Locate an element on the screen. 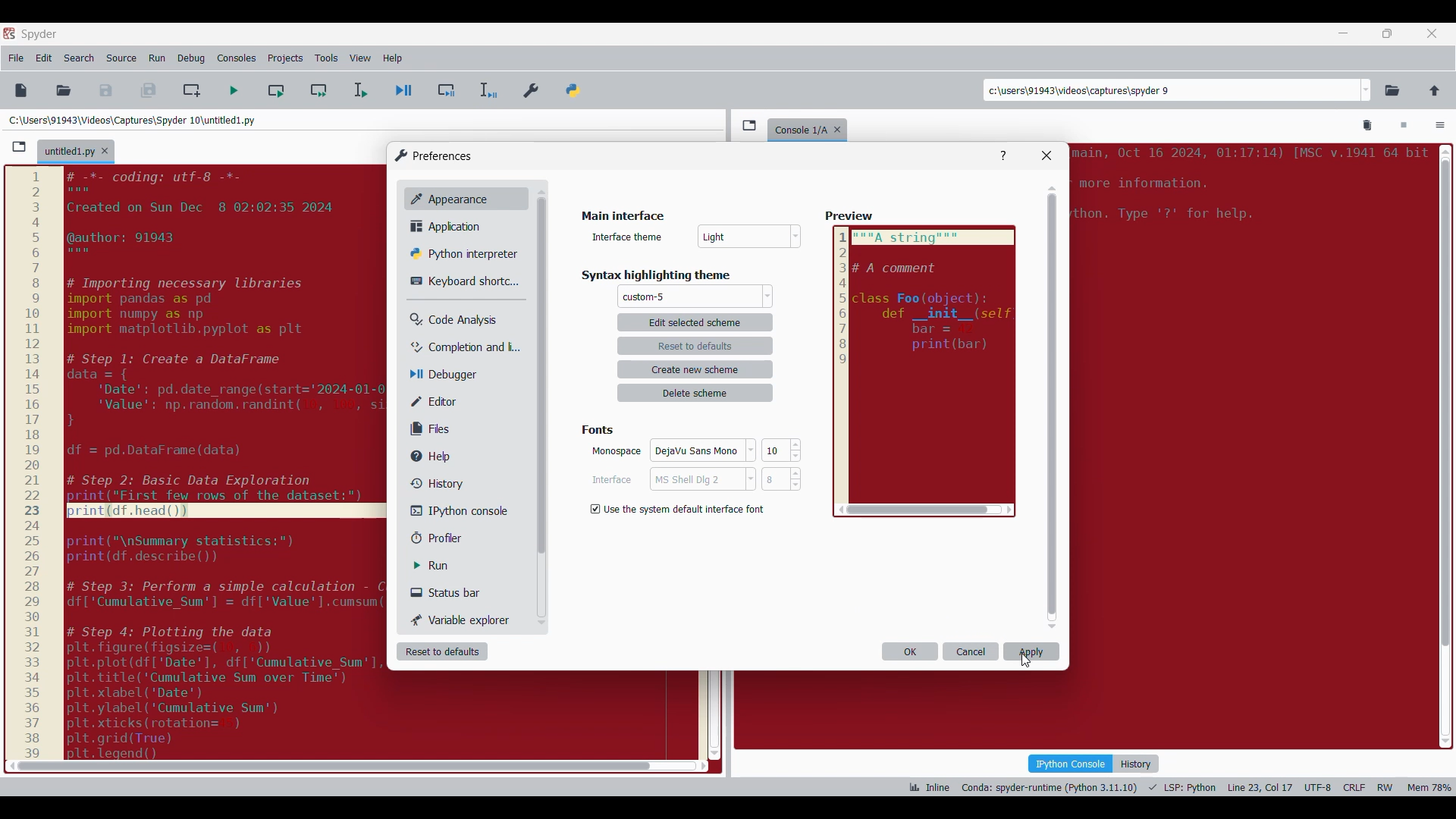 This screenshot has height=819, width=1456. Save all files is located at coordinates (148, 90).